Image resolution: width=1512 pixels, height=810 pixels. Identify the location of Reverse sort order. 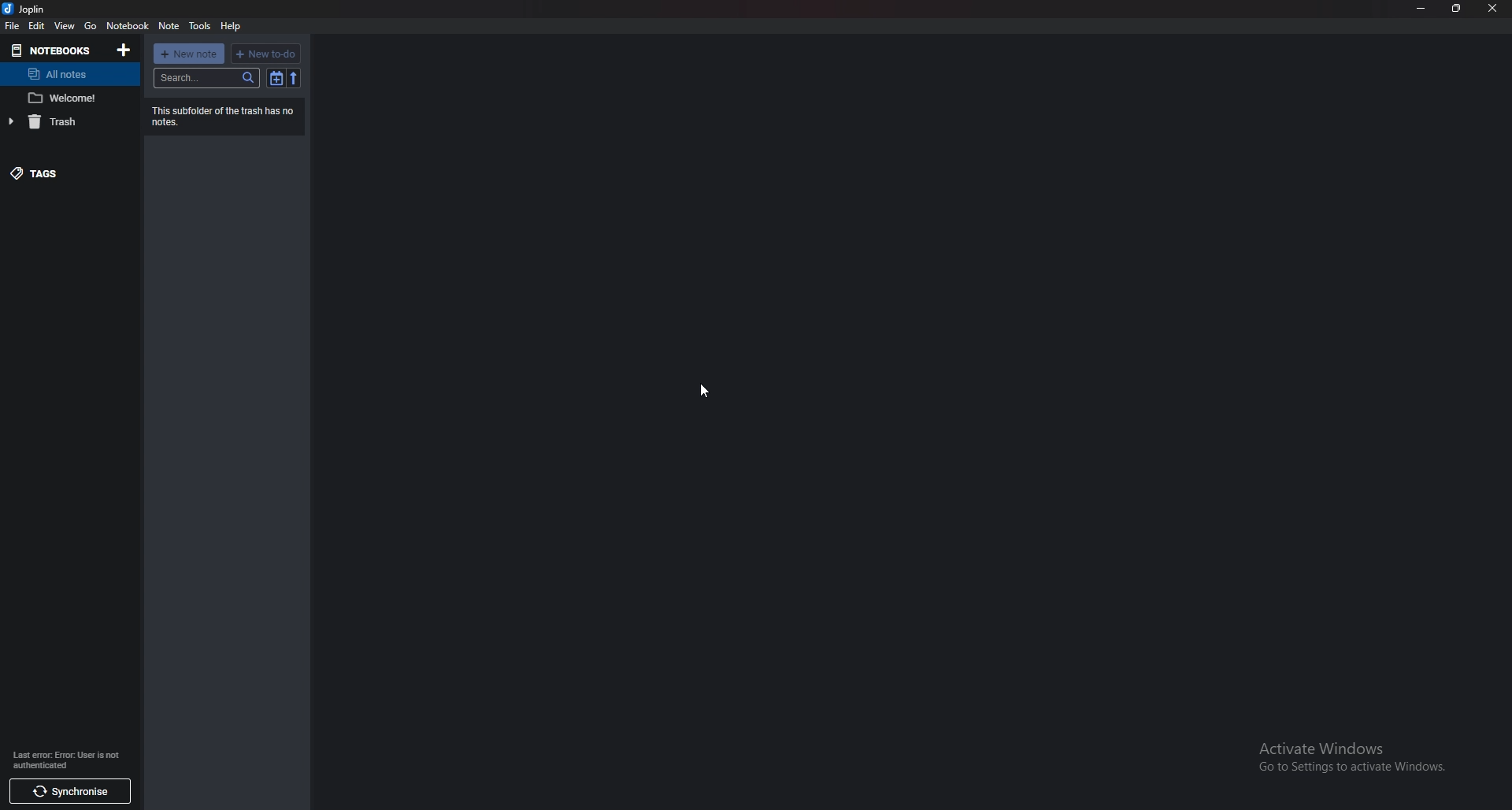
(293, 77).